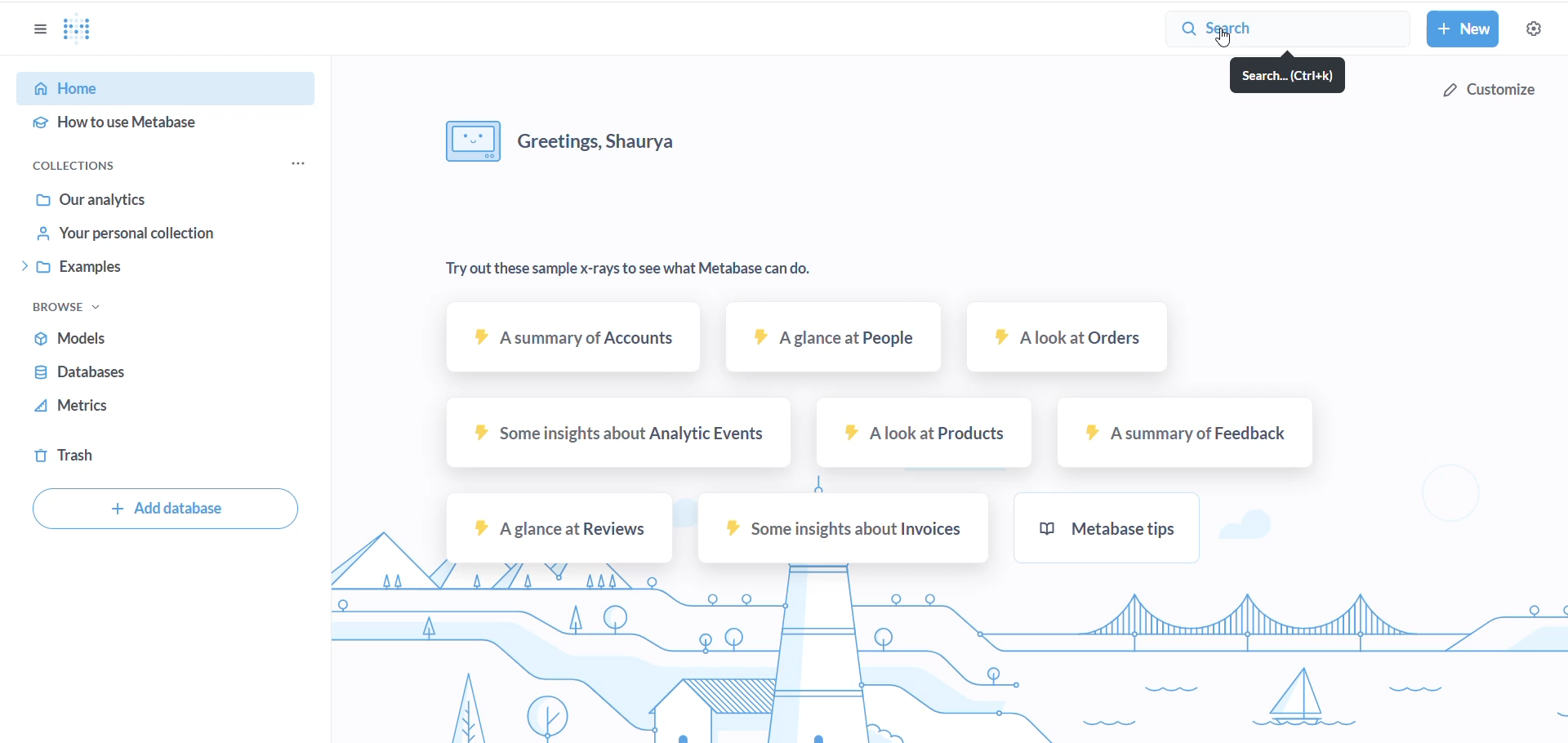  Describe the element at coordinates (38, 33) in the screenshot. I see `show/hide side bar` at that location.